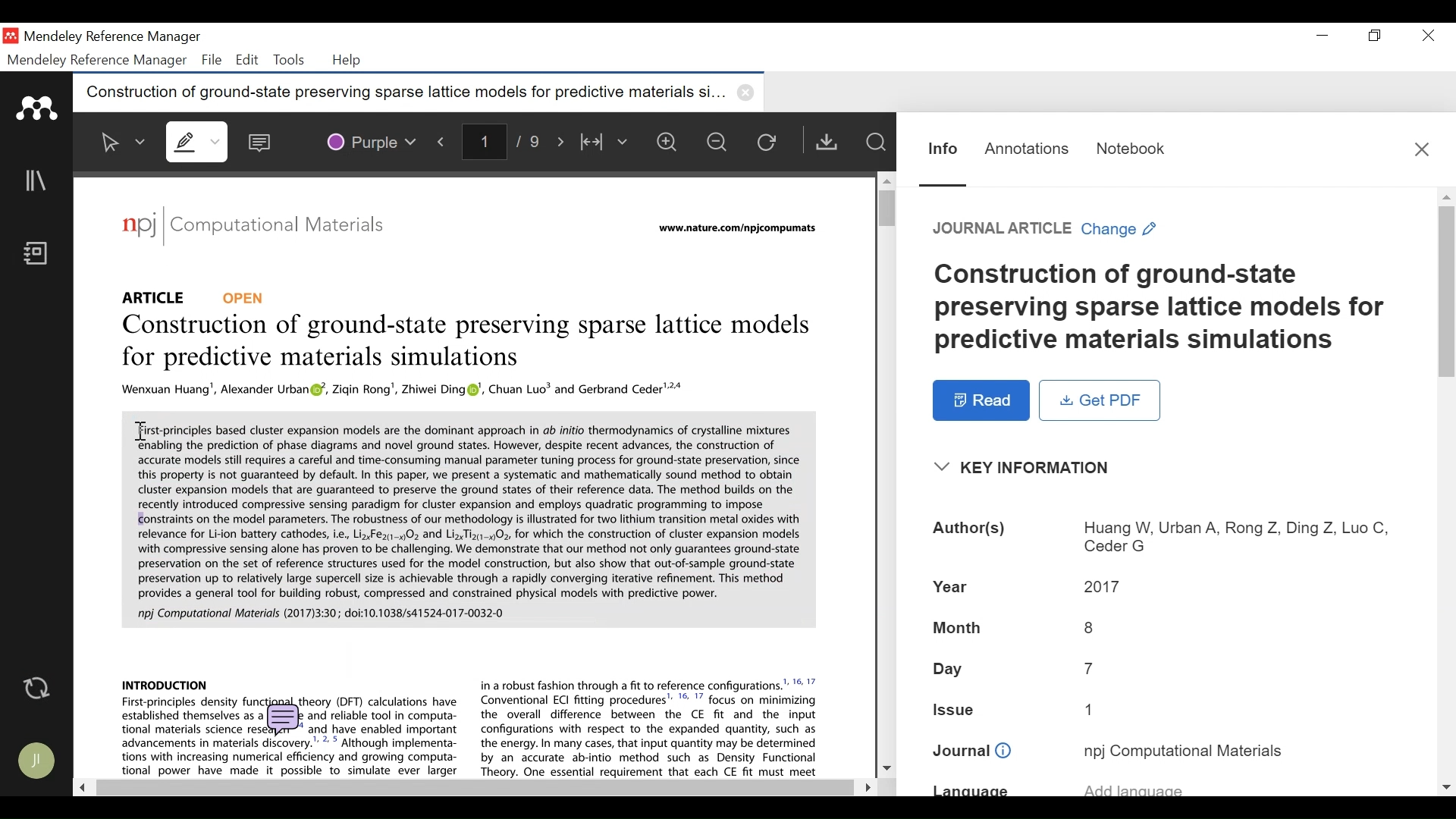 The image size is (1456, 819). I want to click on Scroll down, so click(886, 766).